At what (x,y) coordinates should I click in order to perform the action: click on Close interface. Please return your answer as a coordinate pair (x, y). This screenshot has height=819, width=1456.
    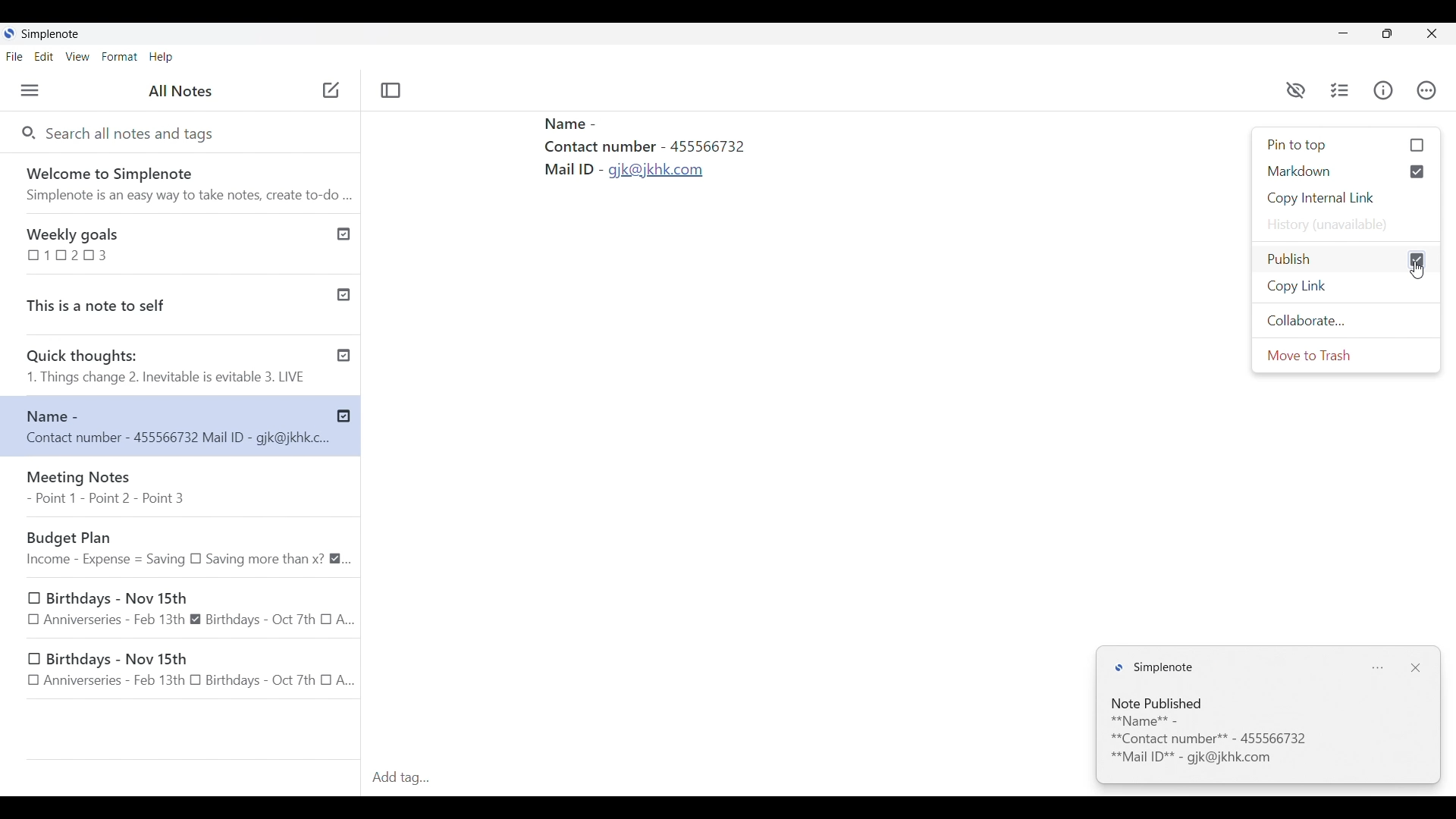
    Looking at the image, I should click on (1431, 33).